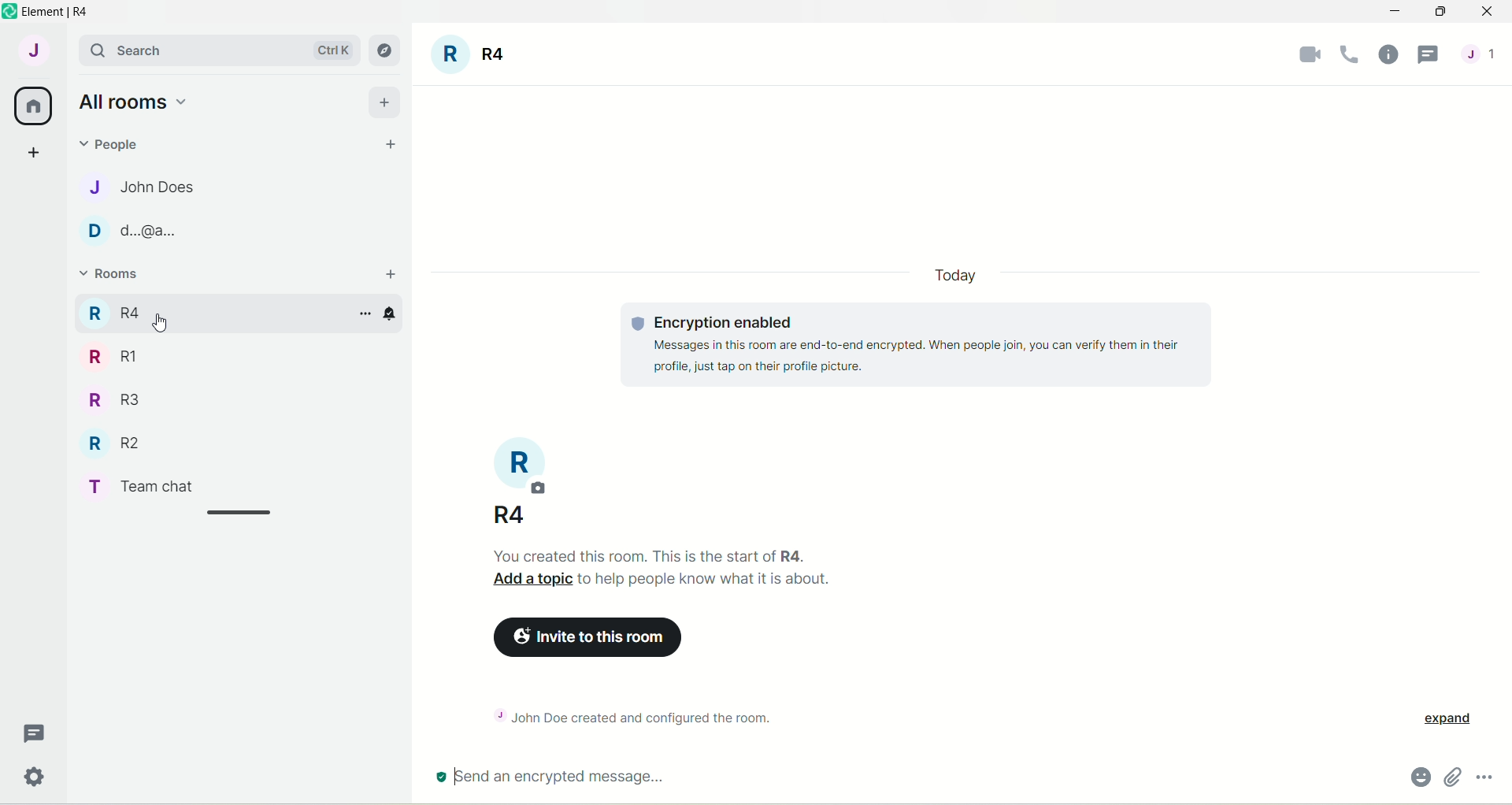  I want to click on T Team chat, so click(150, 484).